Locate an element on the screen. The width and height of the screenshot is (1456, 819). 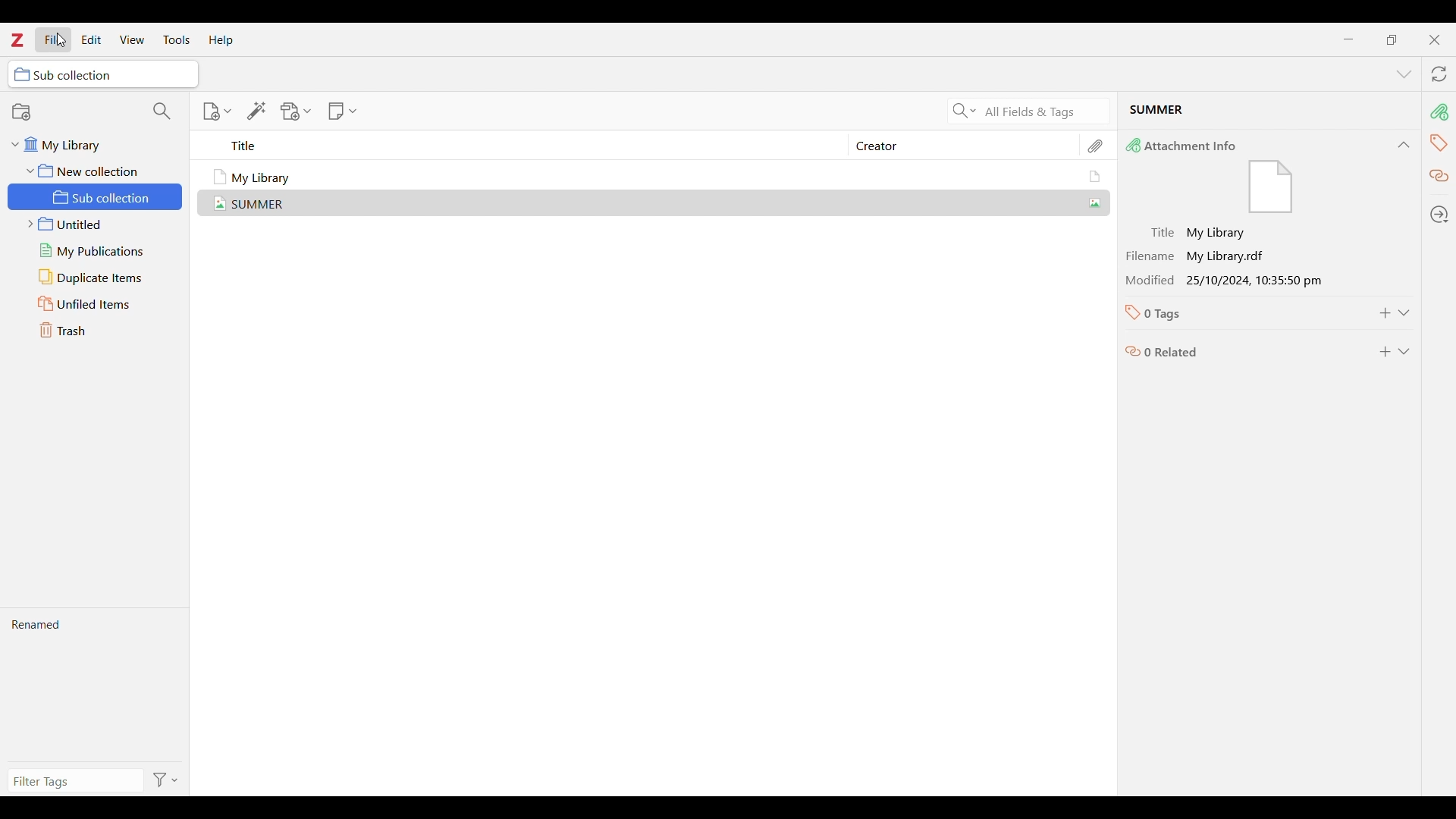
My library is located at coordinates (87, 145).